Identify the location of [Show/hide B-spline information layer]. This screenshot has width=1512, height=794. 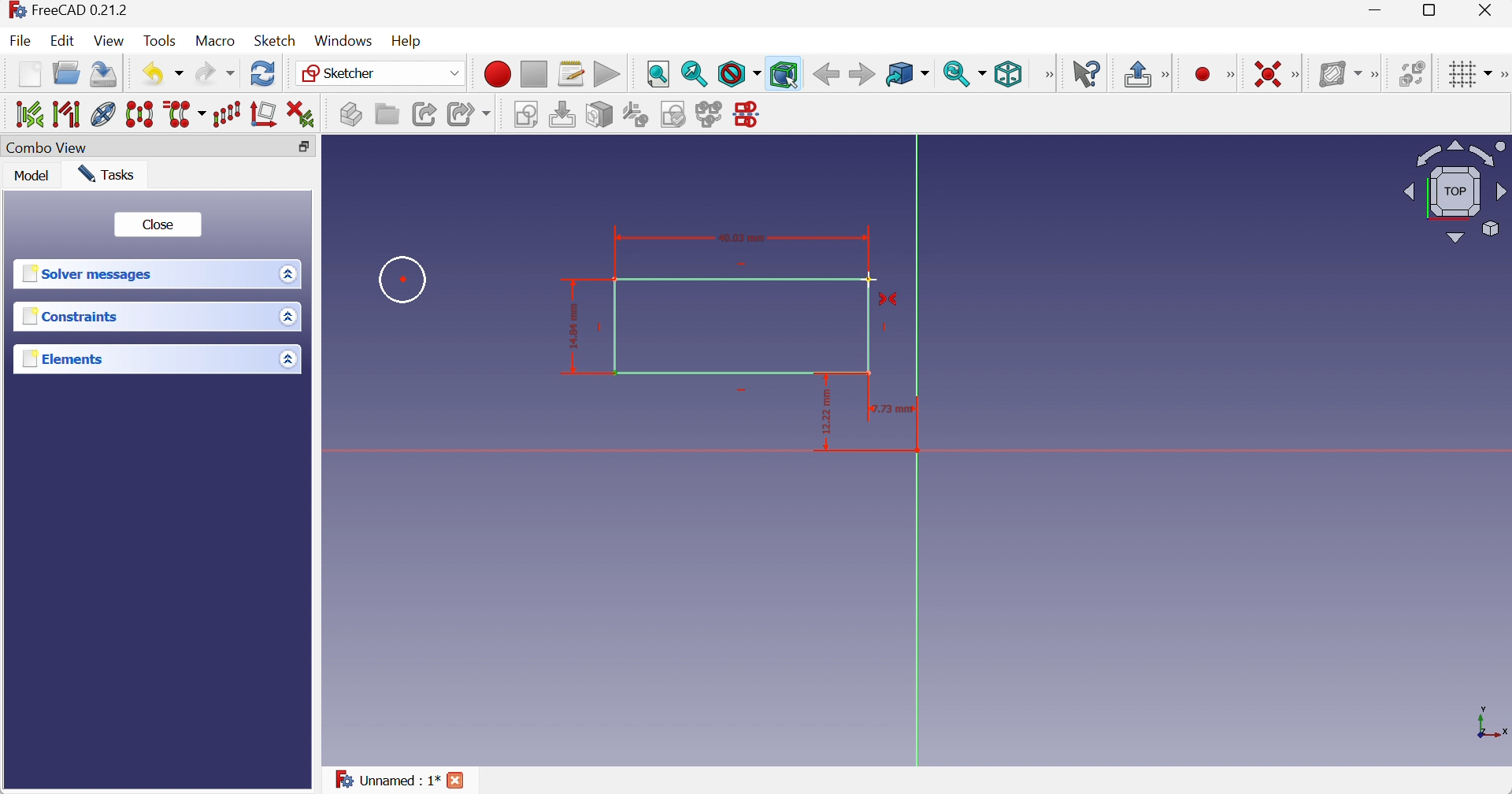
(1340, 74).